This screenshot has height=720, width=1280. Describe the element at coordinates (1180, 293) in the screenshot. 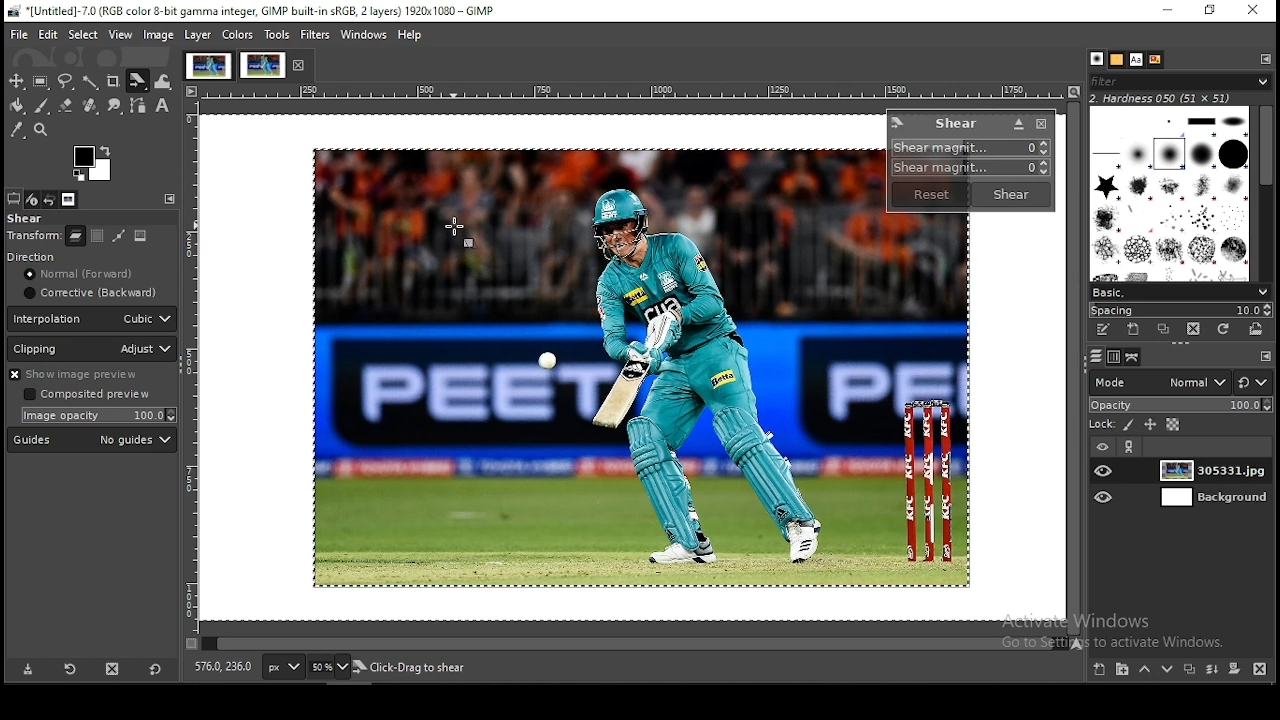

I see `basic` at that location.